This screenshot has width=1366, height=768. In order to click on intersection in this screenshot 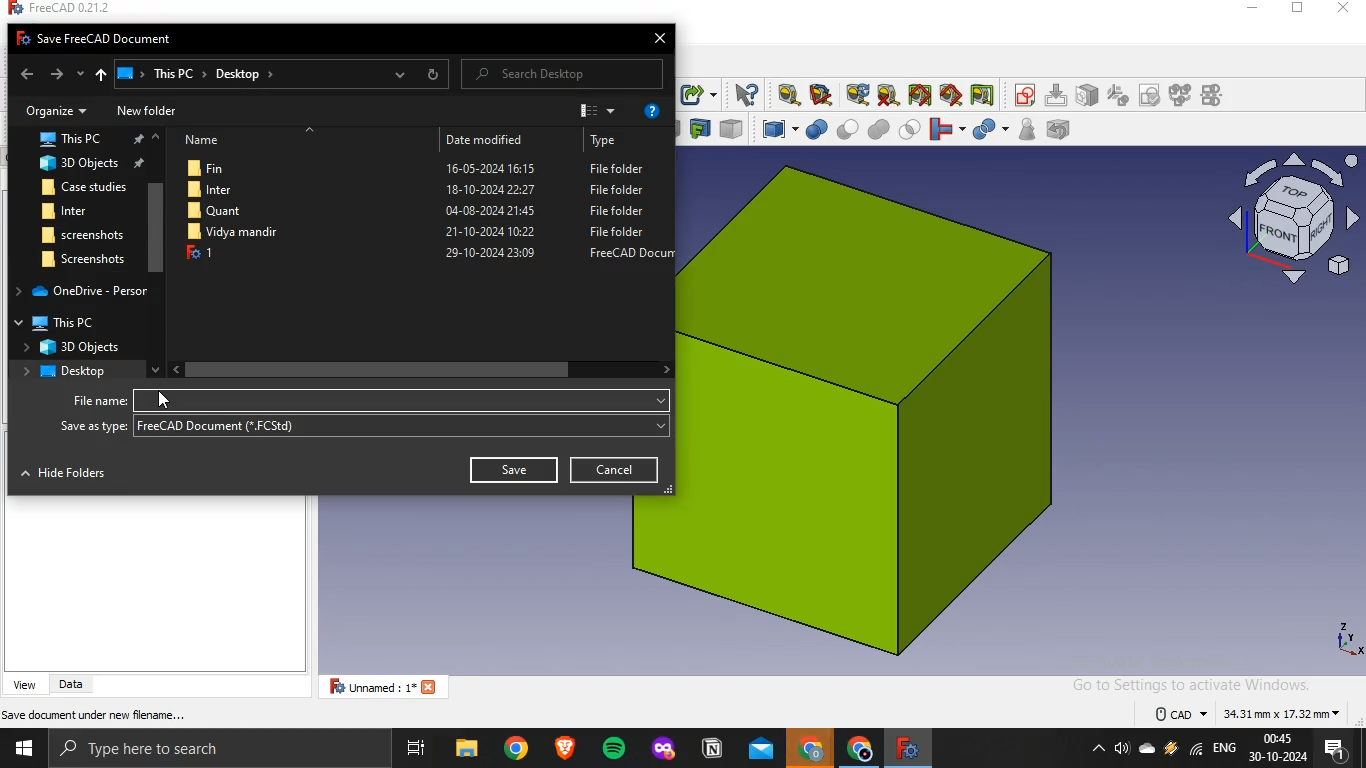, I will do `click(908, 129)`.